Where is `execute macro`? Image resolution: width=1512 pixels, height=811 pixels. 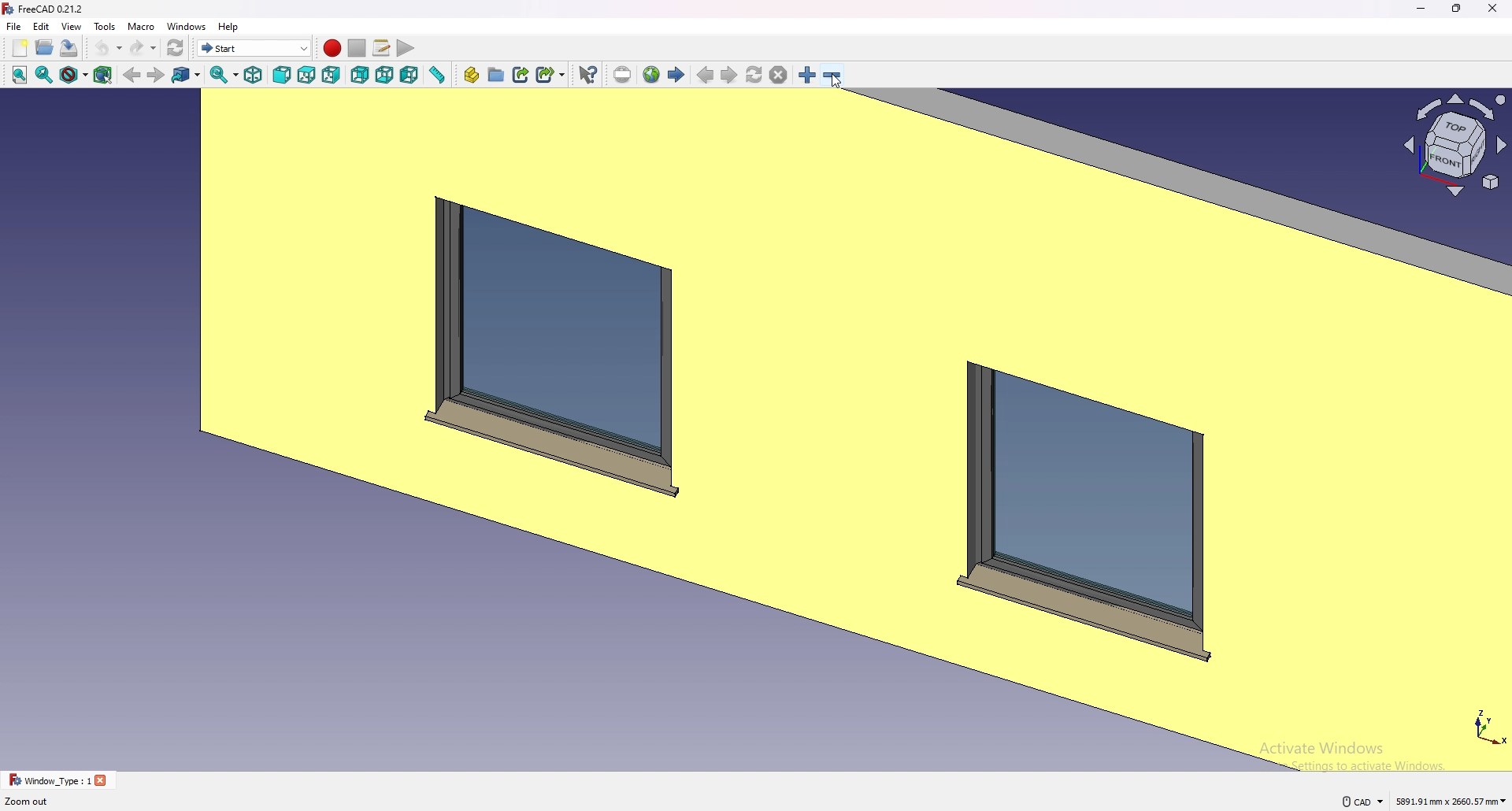
execute macro is located at coordinates (407, 49).